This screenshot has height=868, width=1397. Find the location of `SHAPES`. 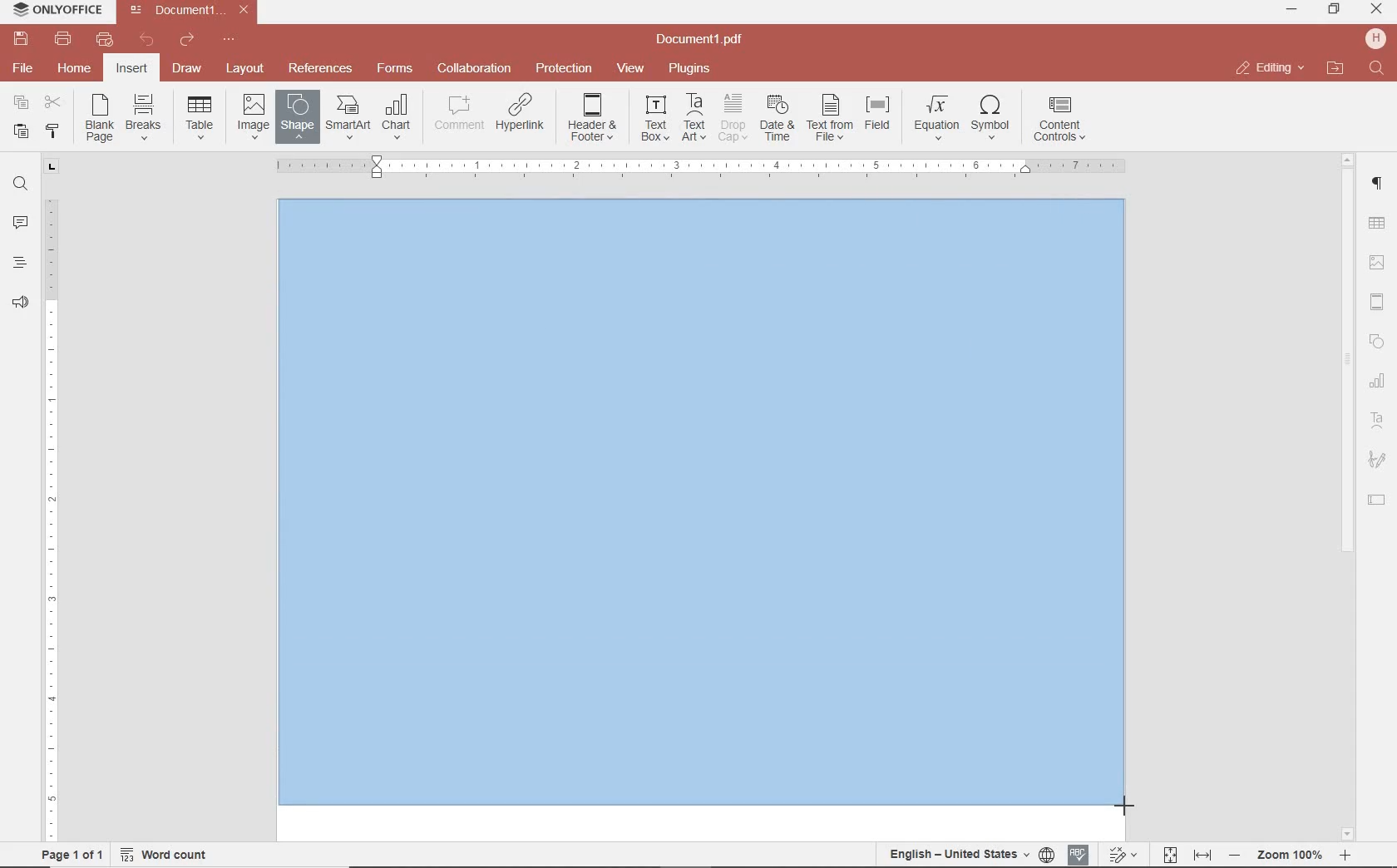

SHAPES is located at coordinates (1378, 343).